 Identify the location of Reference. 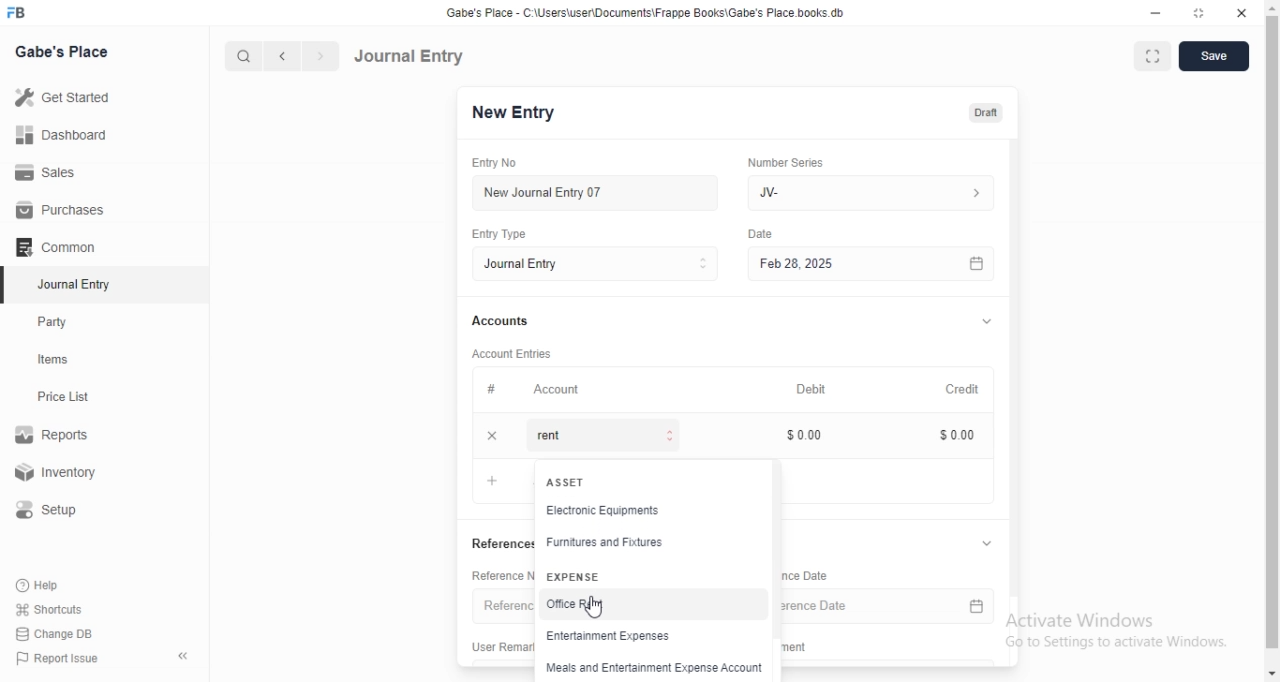
(503, 605).